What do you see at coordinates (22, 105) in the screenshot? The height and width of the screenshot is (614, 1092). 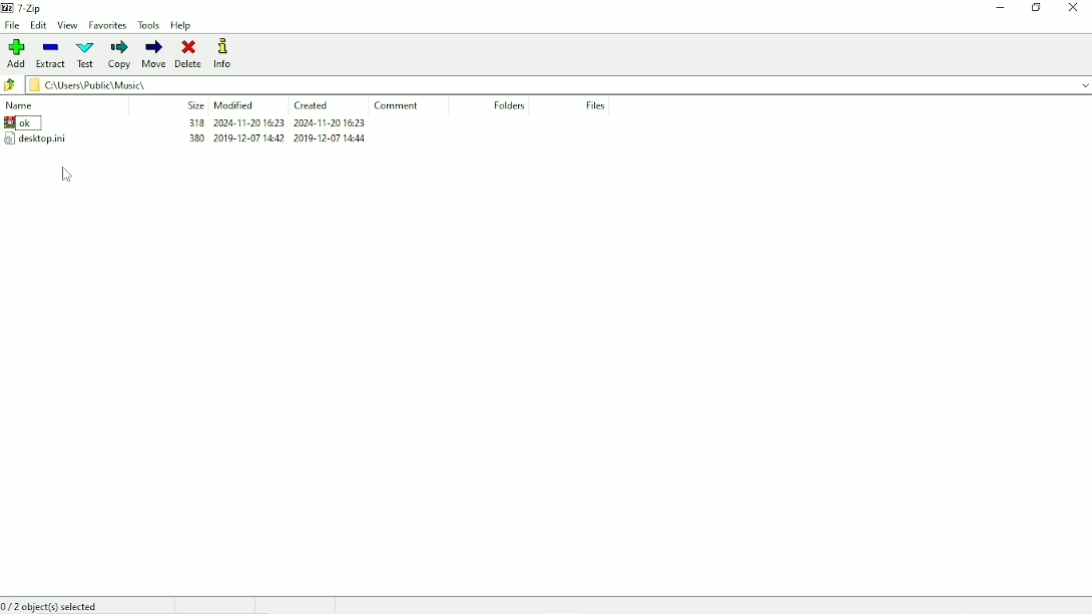 I see `Name` at bounding box center [22, 105].